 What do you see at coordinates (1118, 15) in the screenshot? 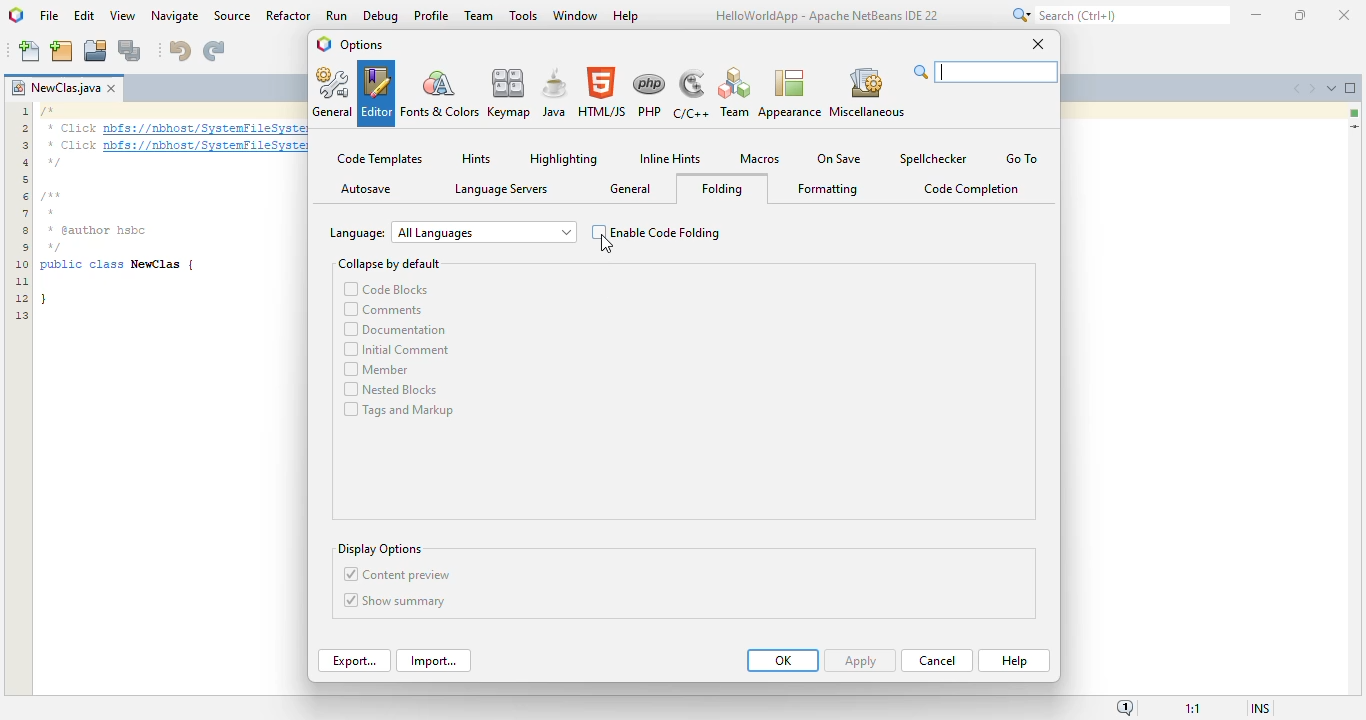
I see `search` at bounding box center [1118, 15].